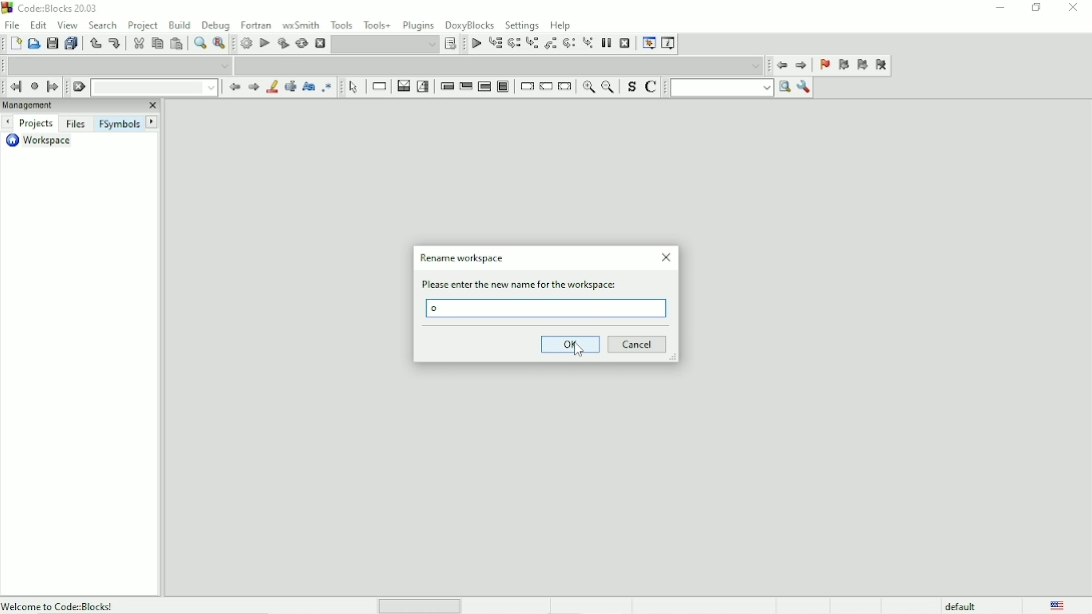  Describe the element at coordinates (546, 88) in the screenshot. I see `Continue instruction` at that location.